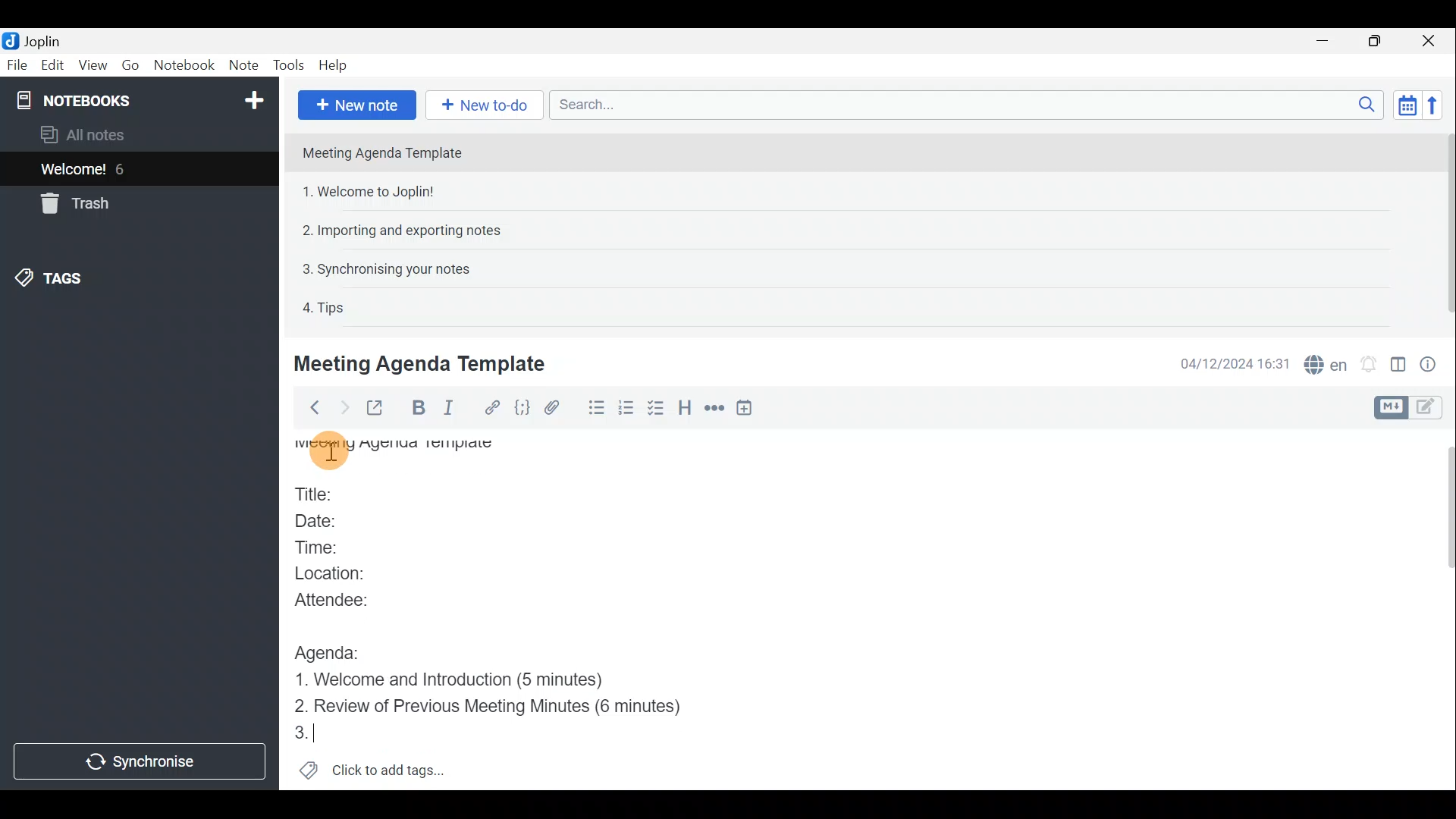 The width and height of the screenshot is (1456, 819). I want to click on Meeting Agenda Template, so click(384, 152).